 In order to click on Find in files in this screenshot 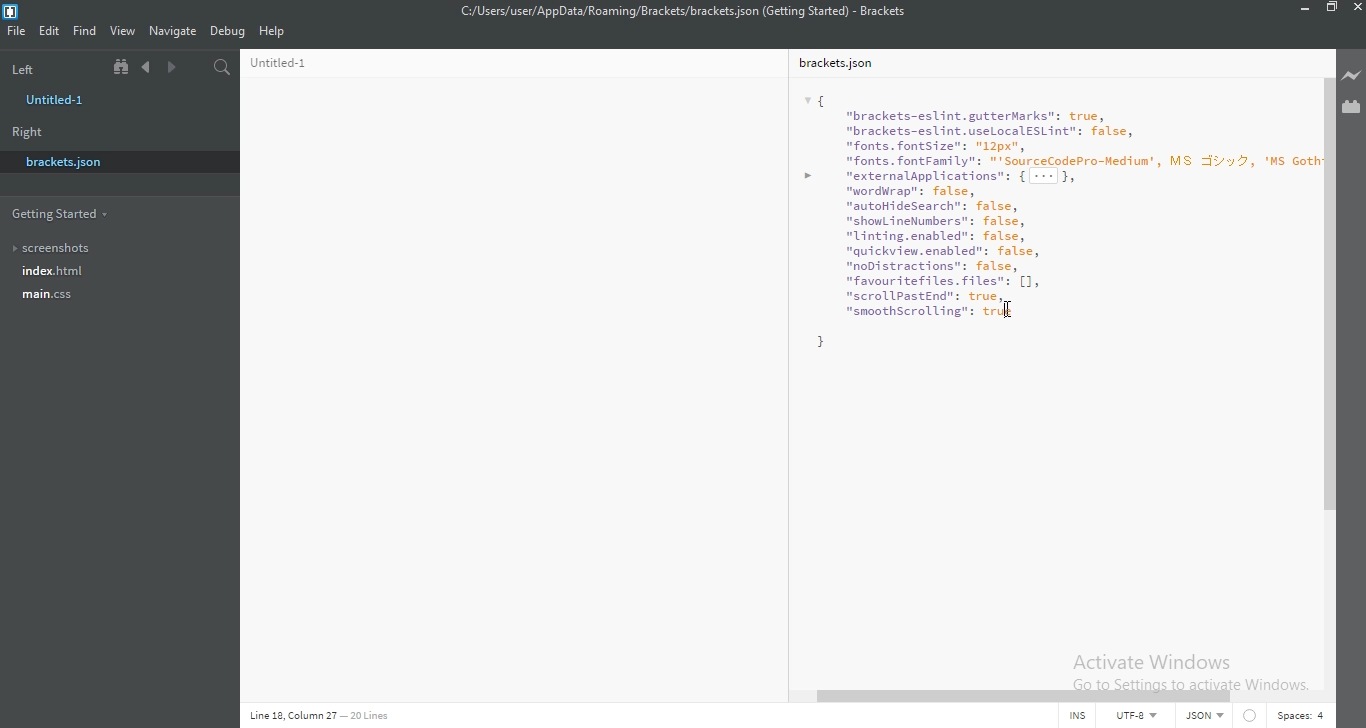, I will do `click(223, 65)`.